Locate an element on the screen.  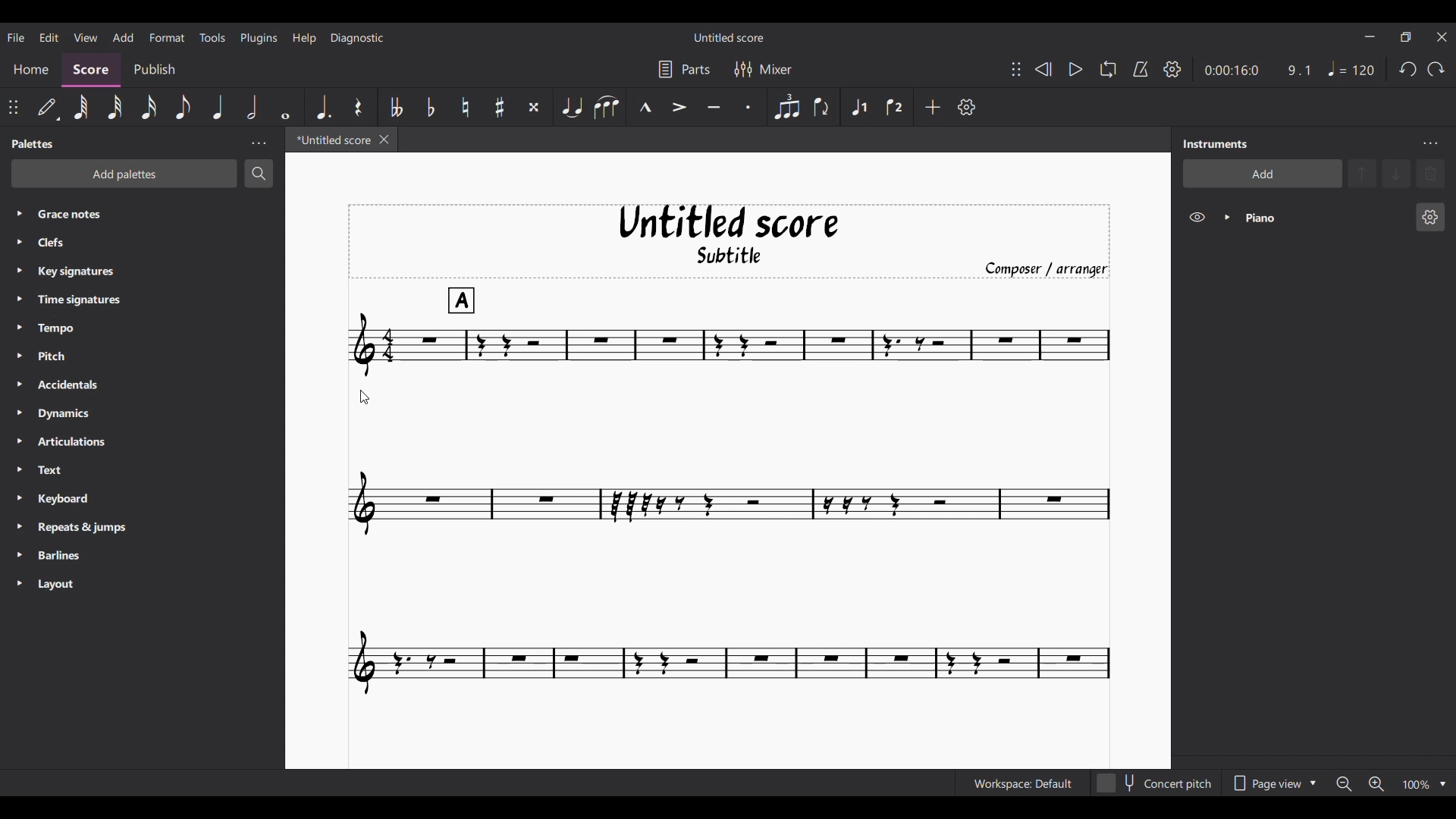
Search is located at coordinates (259, 173).